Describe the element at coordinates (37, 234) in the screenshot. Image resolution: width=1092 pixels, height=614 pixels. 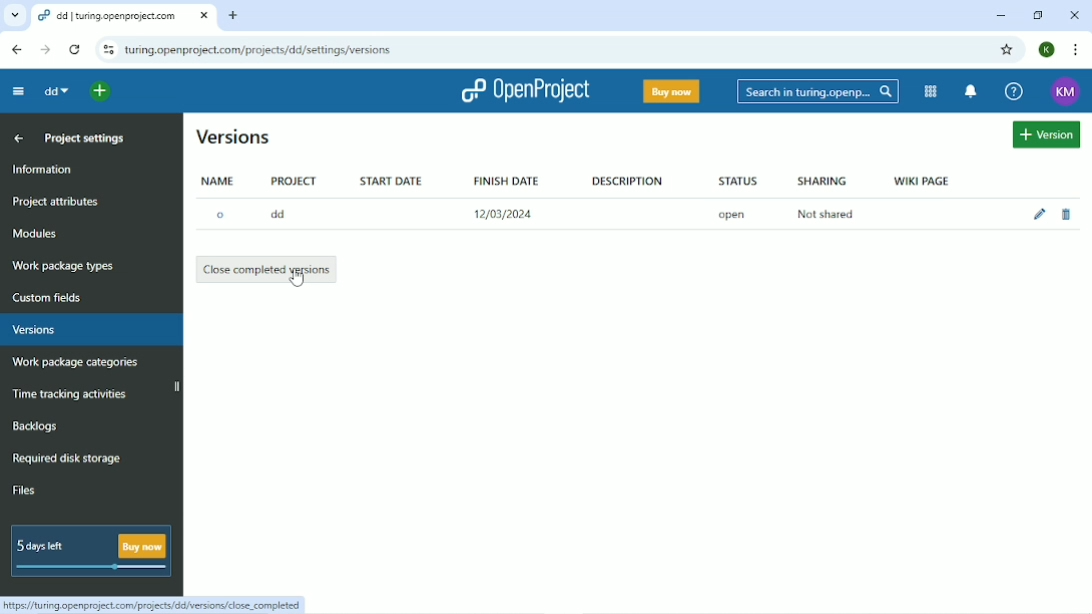
I see `Modules` at that location.